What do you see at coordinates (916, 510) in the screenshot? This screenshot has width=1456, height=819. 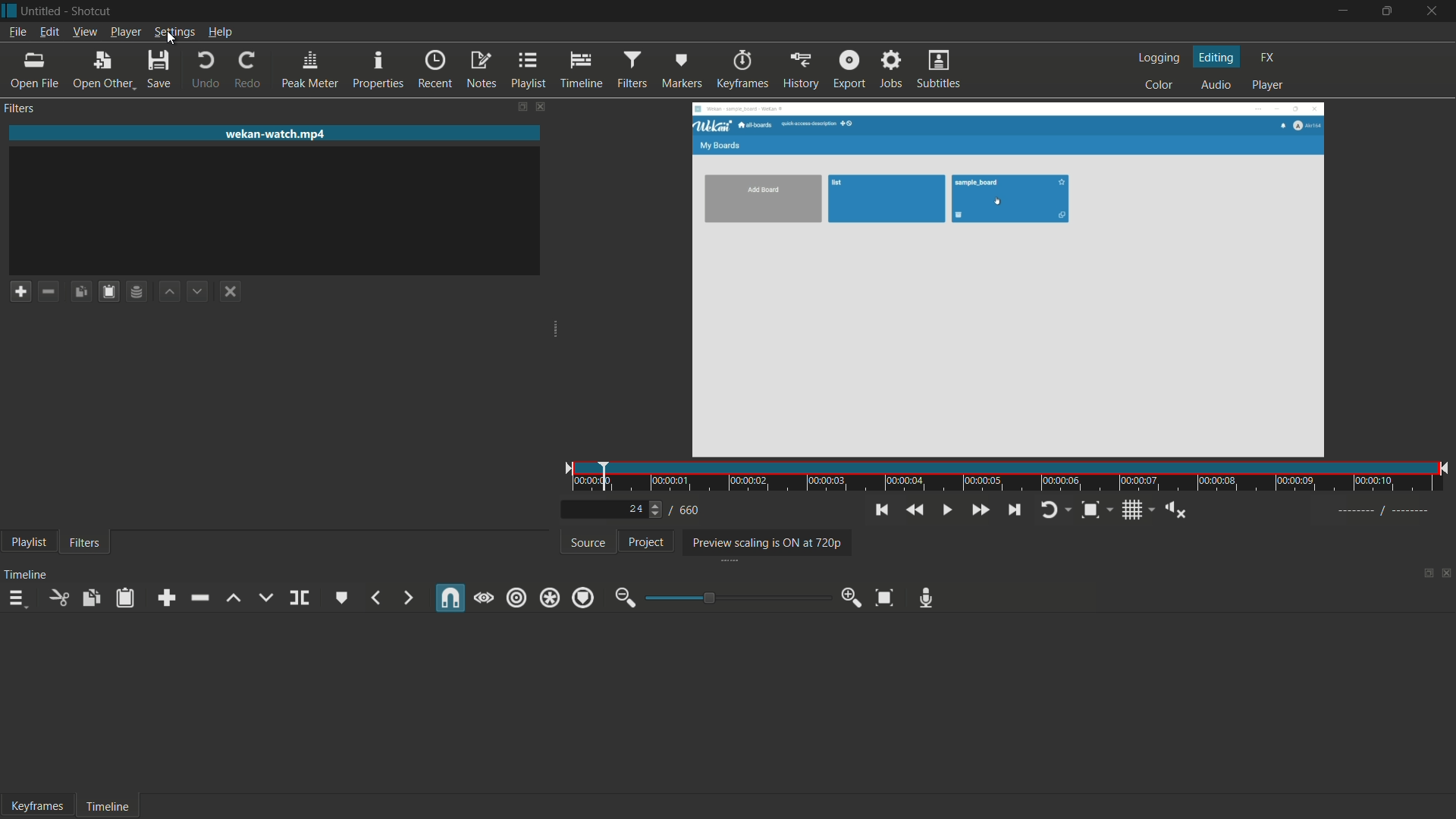 I see `quickly play backward` at bounding box center [916, 510].